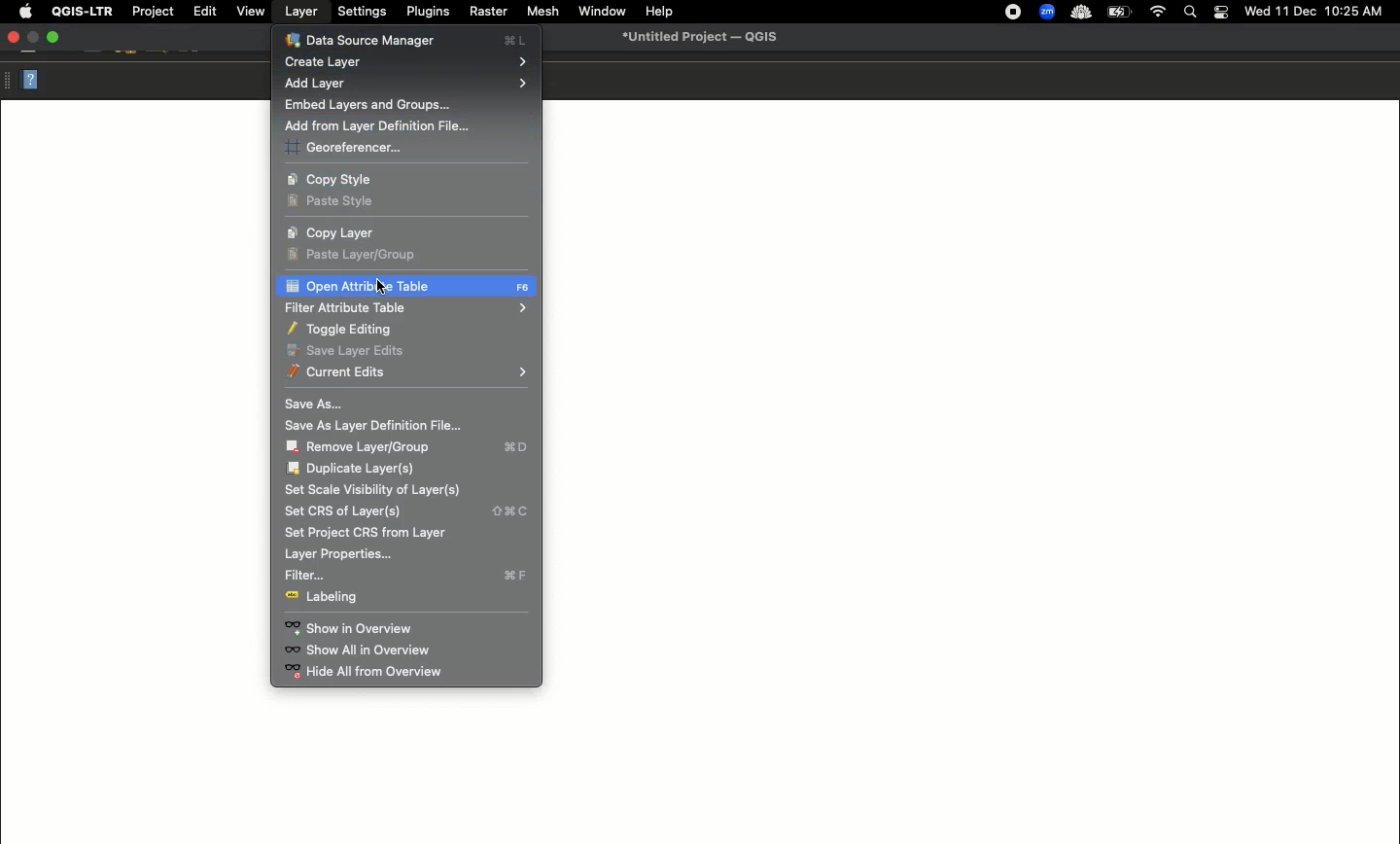 The height and width of the screenshot is (844, 1400). What do you see at coordinates (1192, 11) in the screenshot?
I see `Search` at bounding box center [1192, 11].